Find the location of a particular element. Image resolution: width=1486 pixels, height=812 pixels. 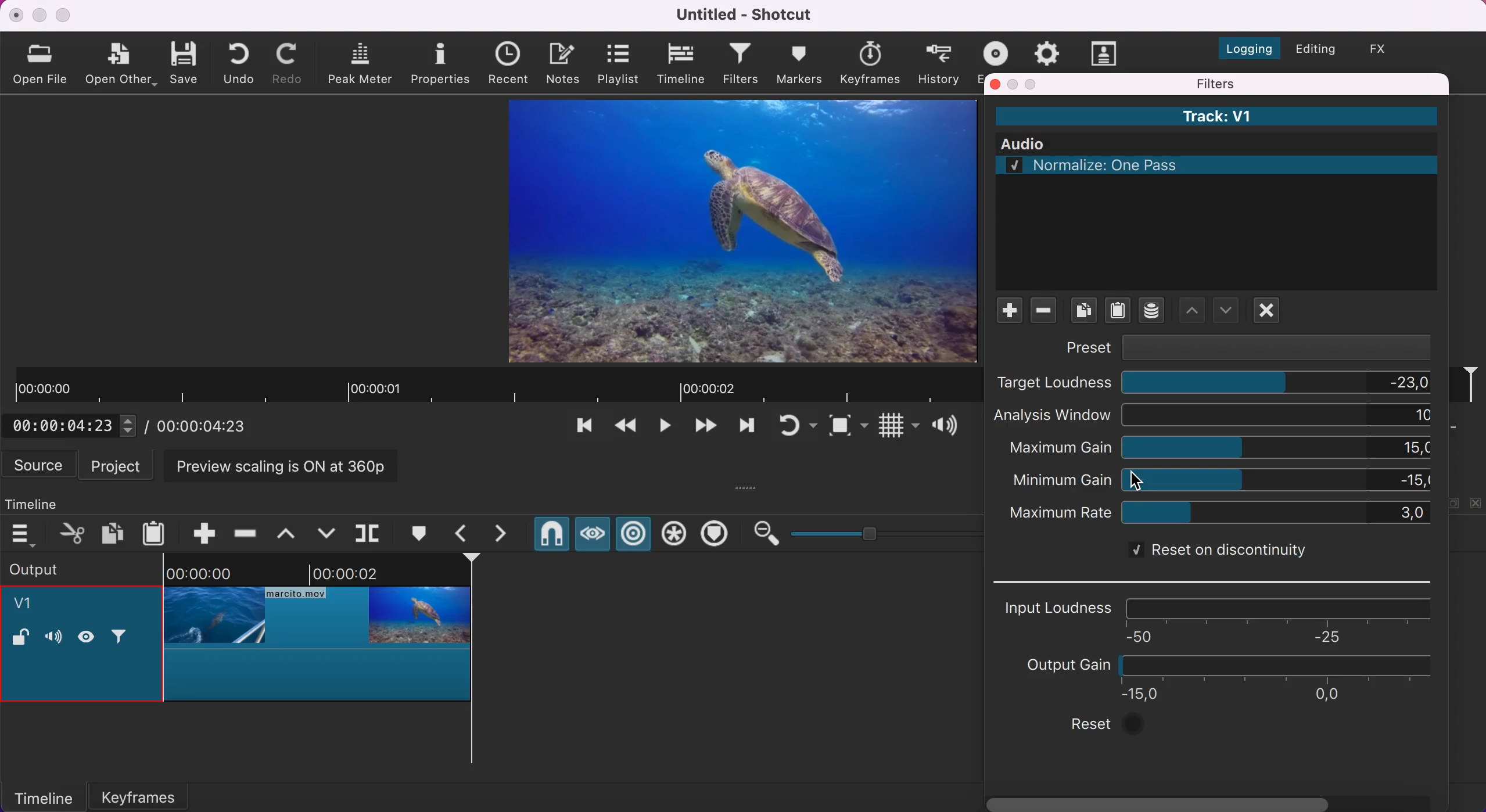

exort is located at coordinates (999, 51).